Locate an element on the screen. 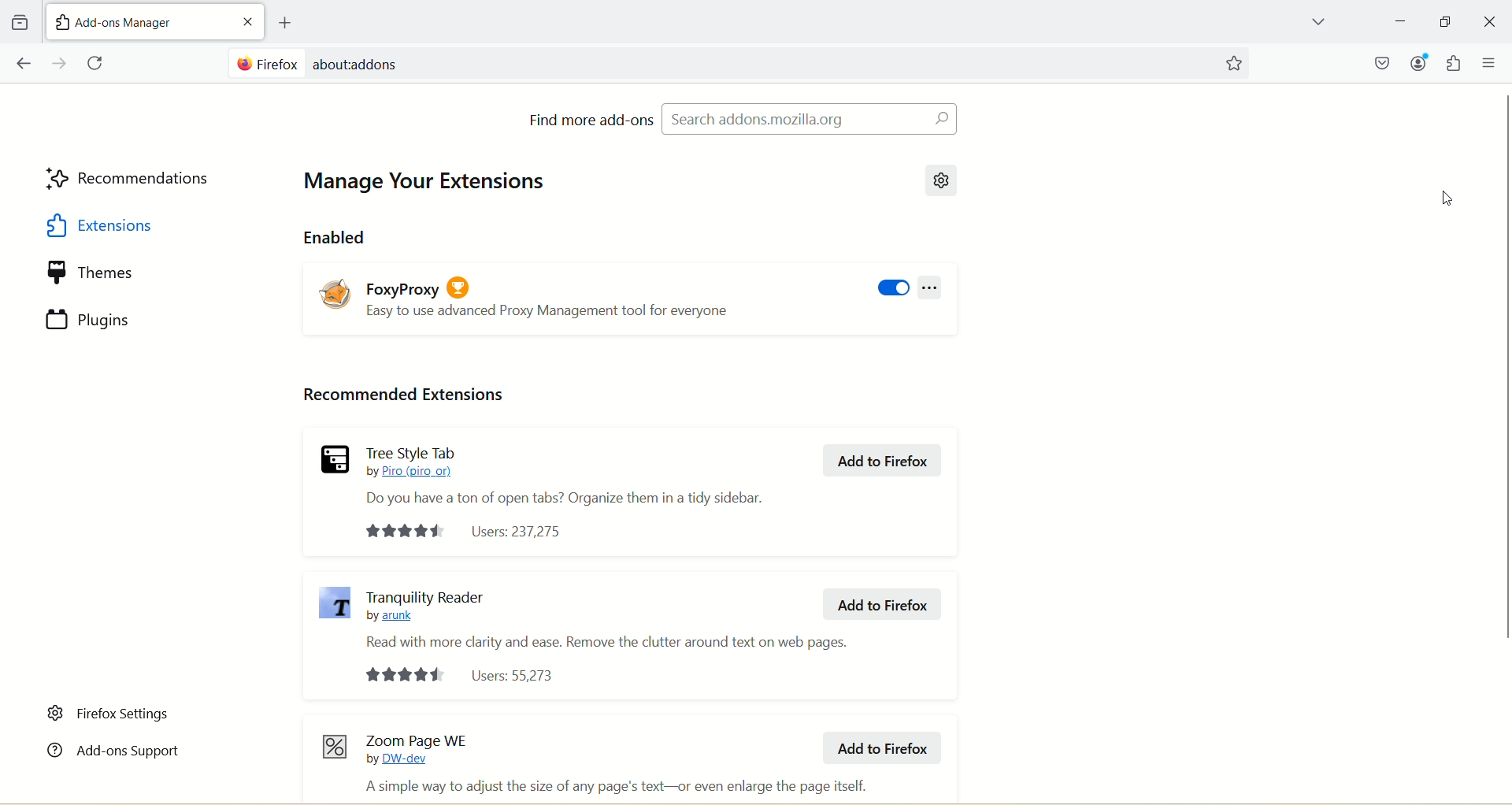  Add to firefox is located at coordinates (880, 747).